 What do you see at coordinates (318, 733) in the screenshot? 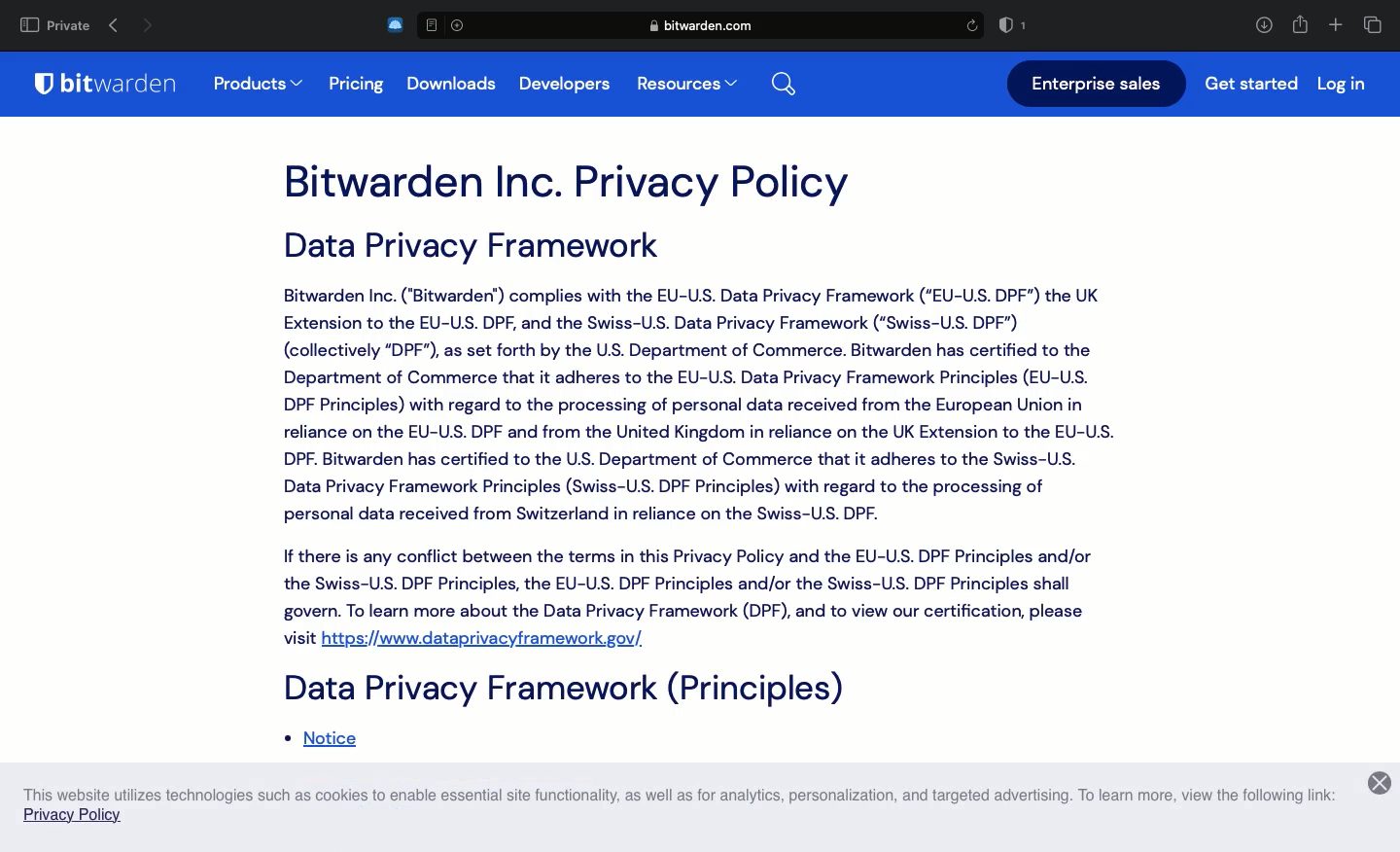
I see `notice` at bounding box center [318, 733].